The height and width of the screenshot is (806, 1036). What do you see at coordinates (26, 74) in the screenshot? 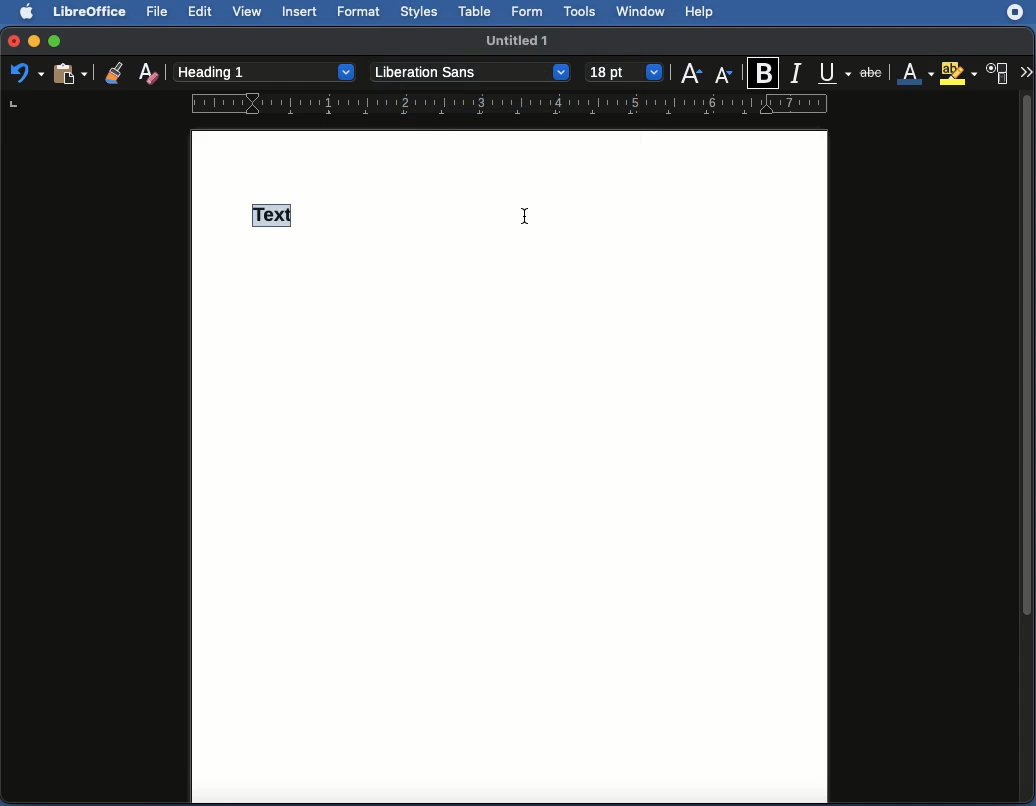
I see `Undo` at bounding box center [26, 74].